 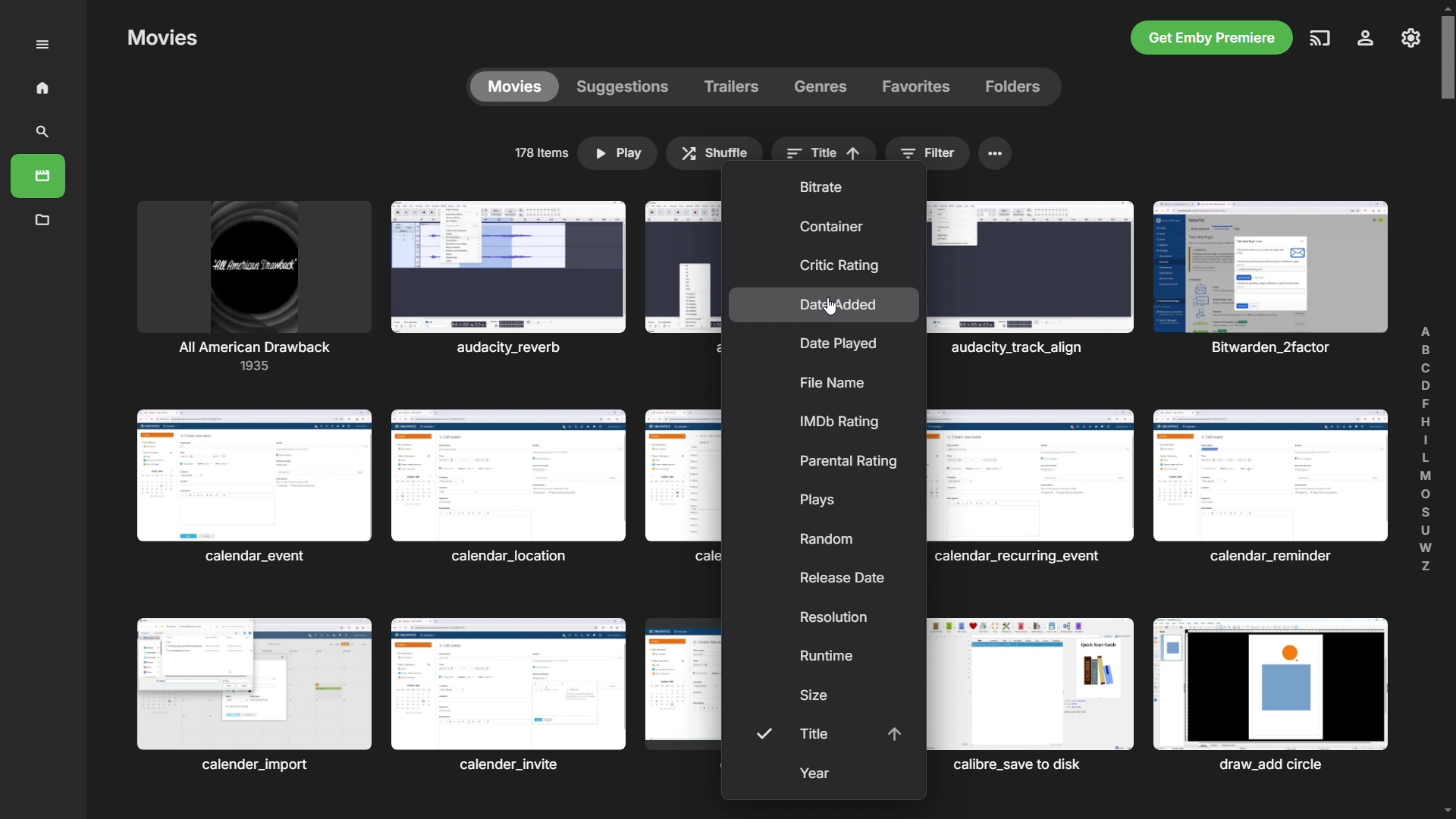 What do you see at coordinates (1447, 58) in the screenshot?
I see `scrollbar` at bounding box center [1447, 58].